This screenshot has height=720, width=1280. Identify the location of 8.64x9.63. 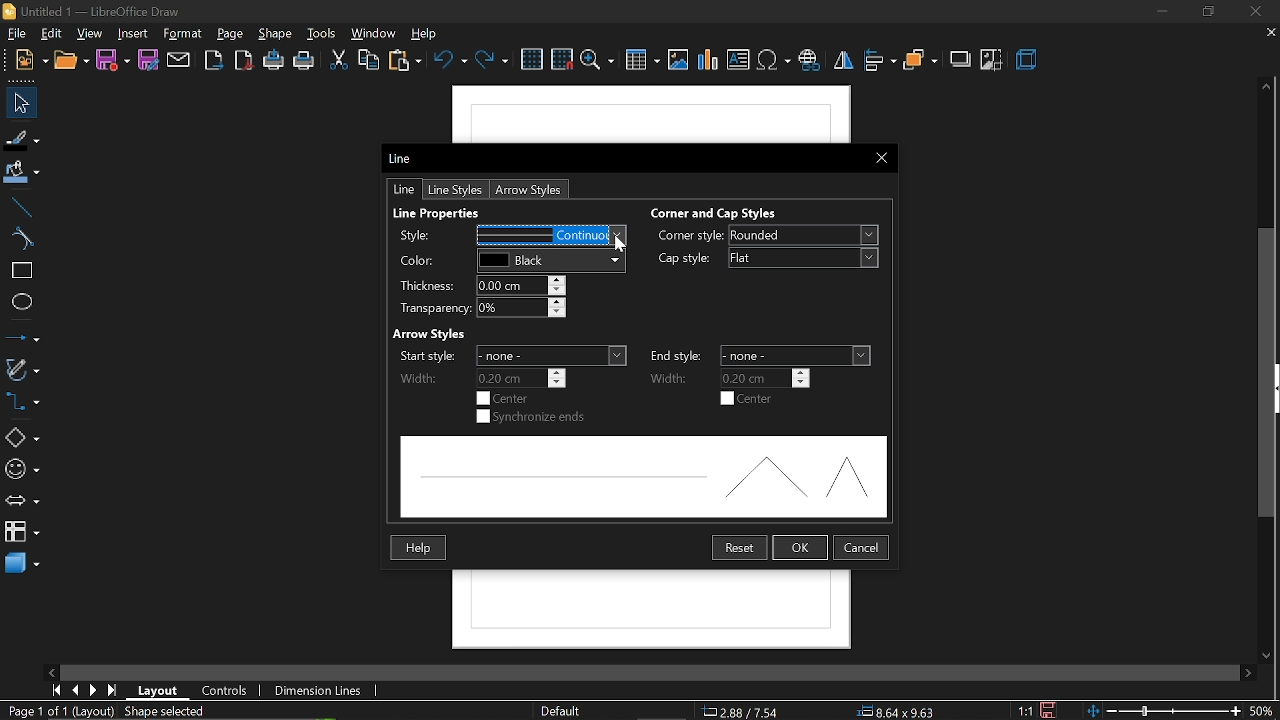
(903, 713).